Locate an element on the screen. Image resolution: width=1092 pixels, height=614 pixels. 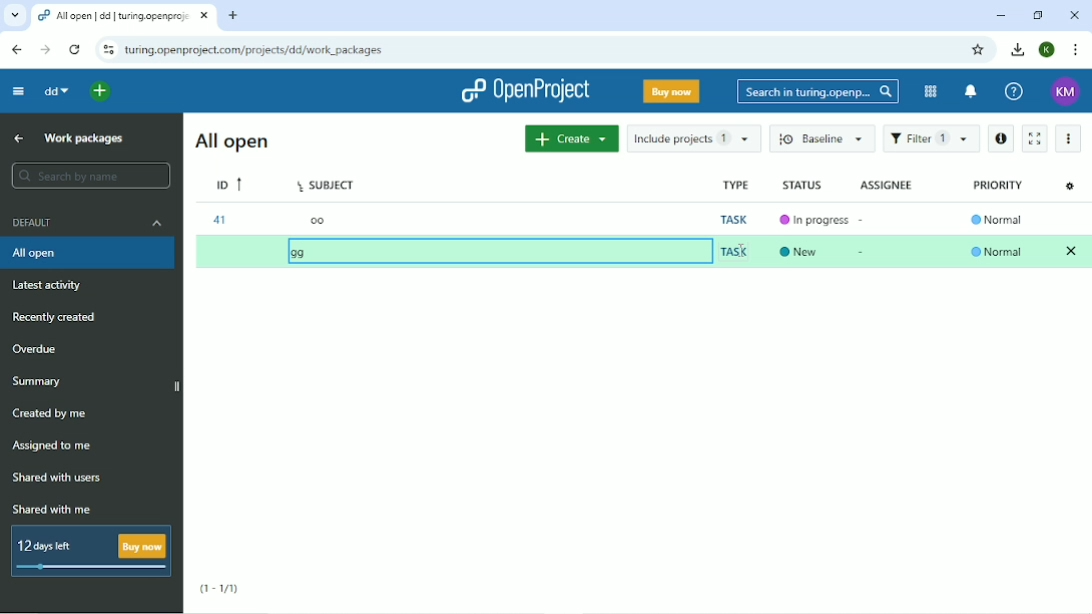
41 is located at coordinates (220, 221).